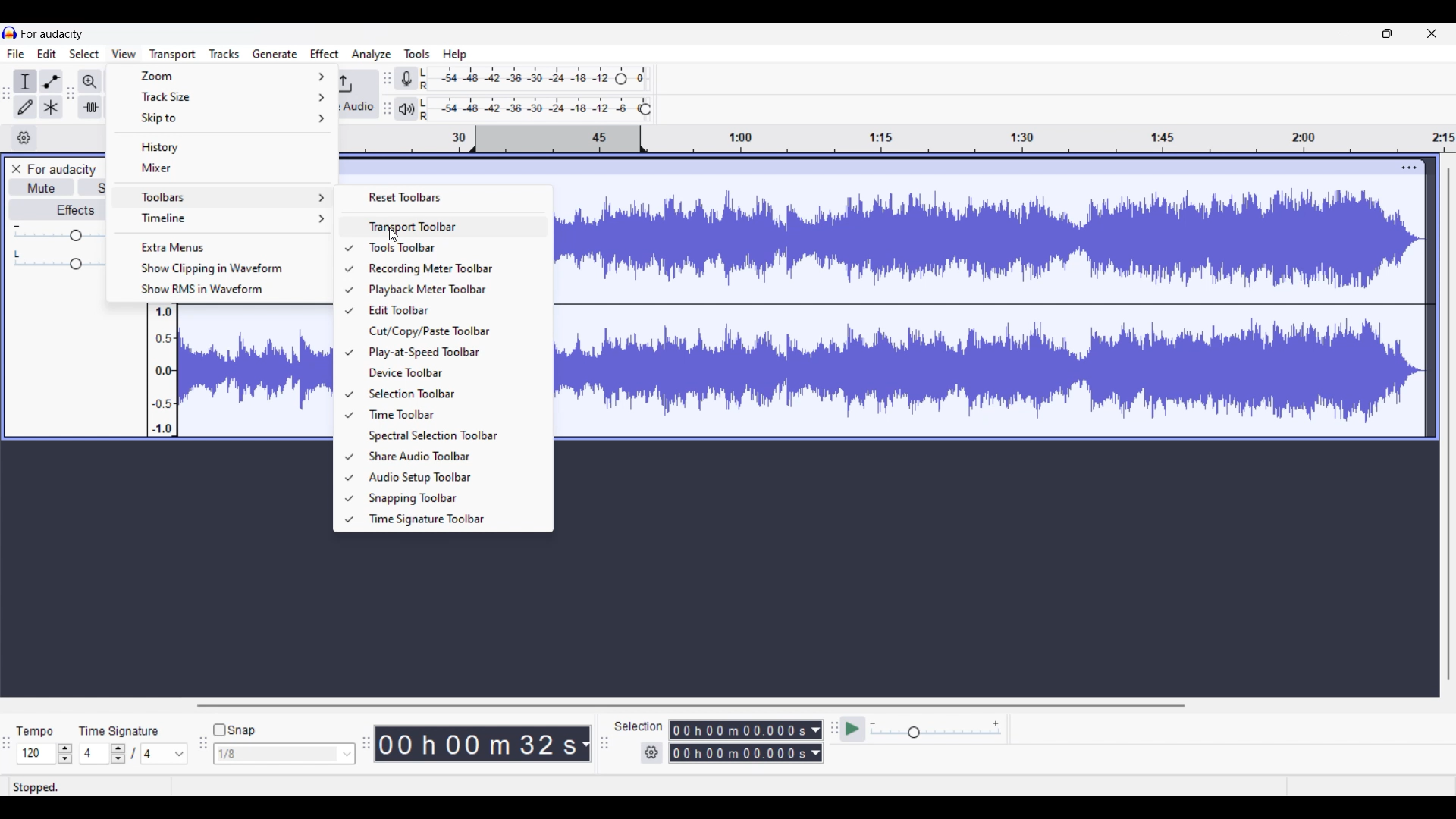 Image resolution: width=1456 pixels, height=819 pixels. I want to click on Duration measurement, so click(585, 743).